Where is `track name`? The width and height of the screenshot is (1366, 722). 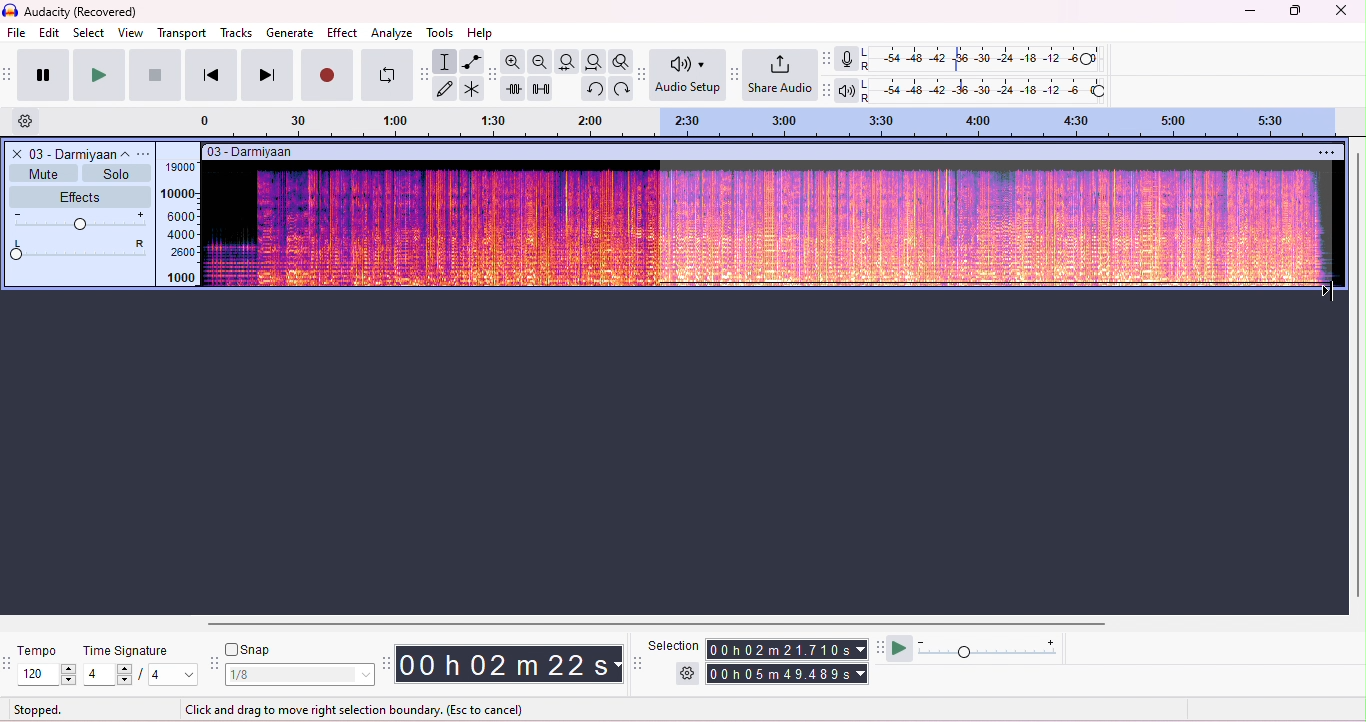 track name is located at coordinates (82, 153).